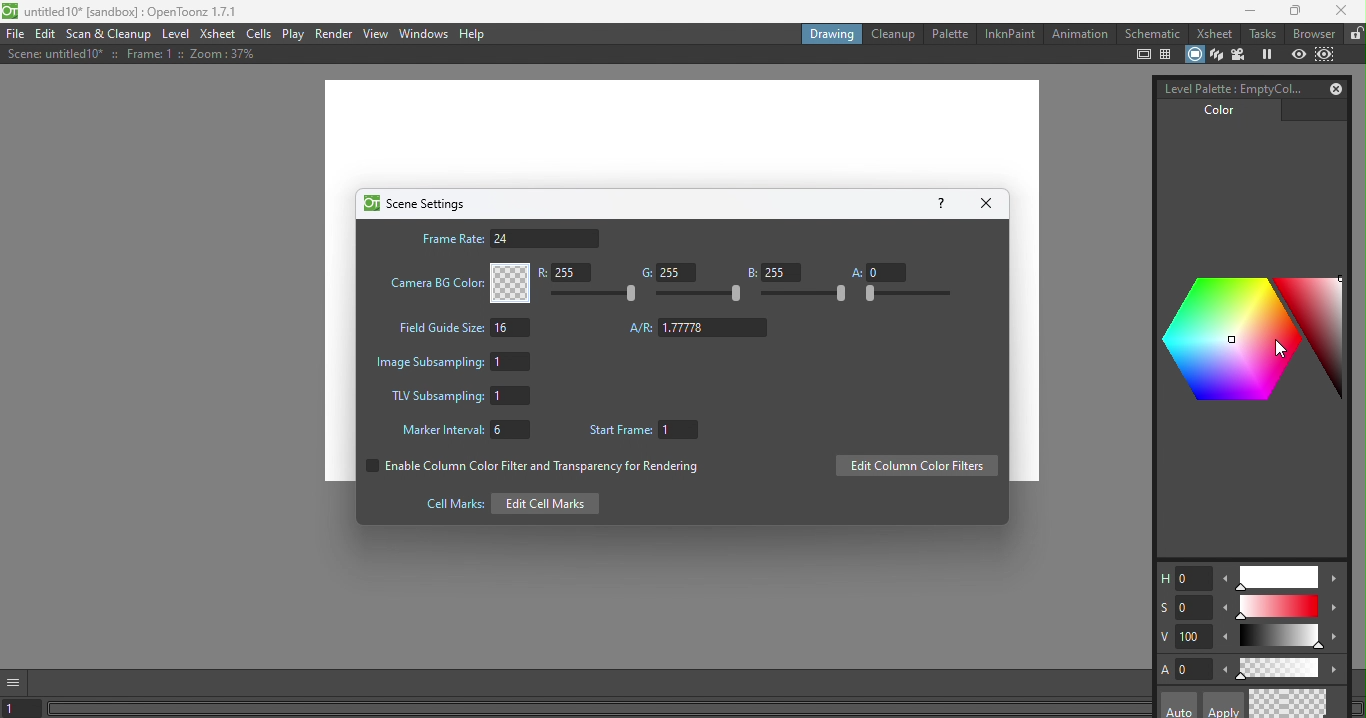  What do you see at coordinates (830, 33) in the screenshot?
I see `Drawing` at bounding box center [830, 33].